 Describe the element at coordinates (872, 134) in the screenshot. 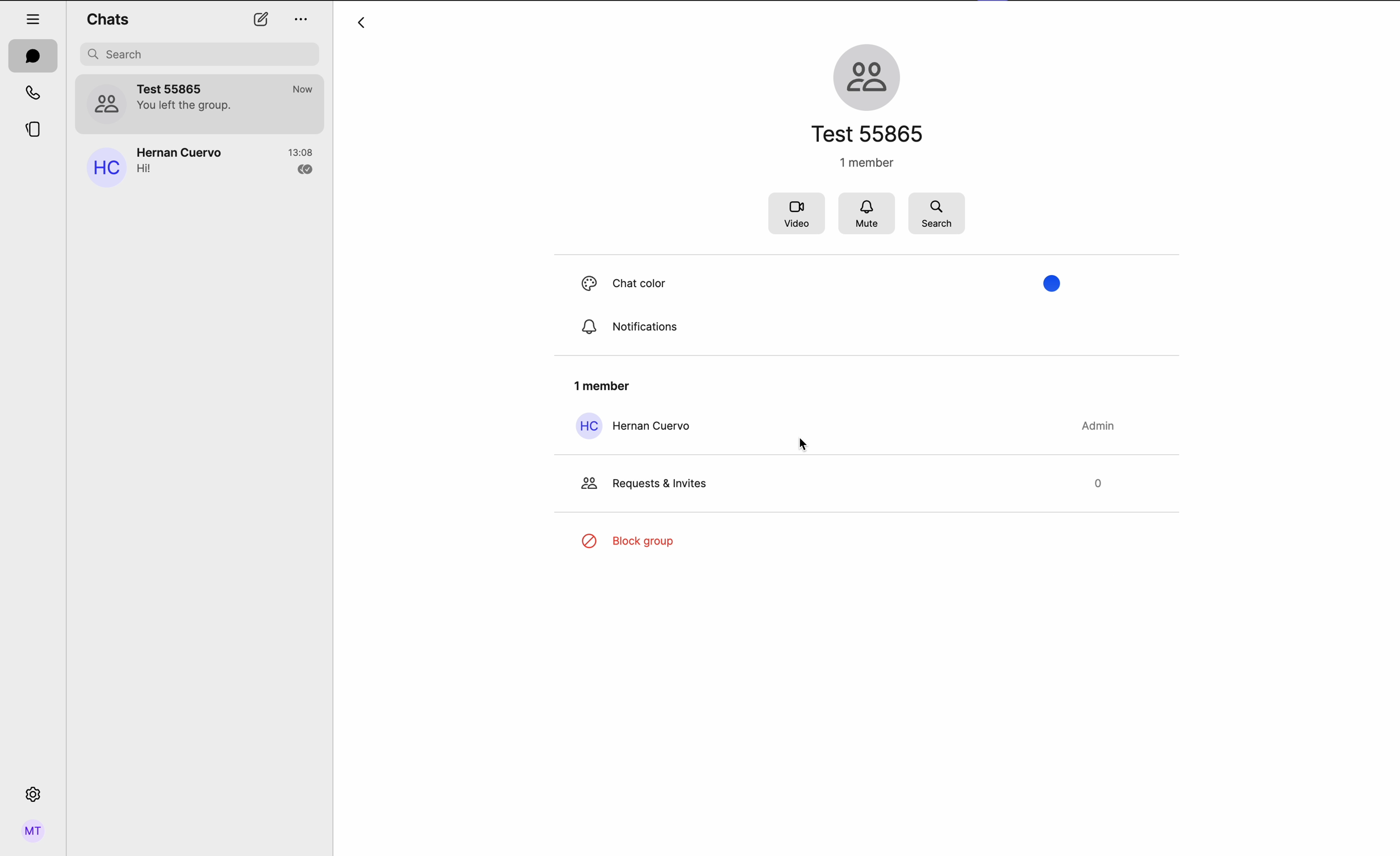

I see `name group` at that location.